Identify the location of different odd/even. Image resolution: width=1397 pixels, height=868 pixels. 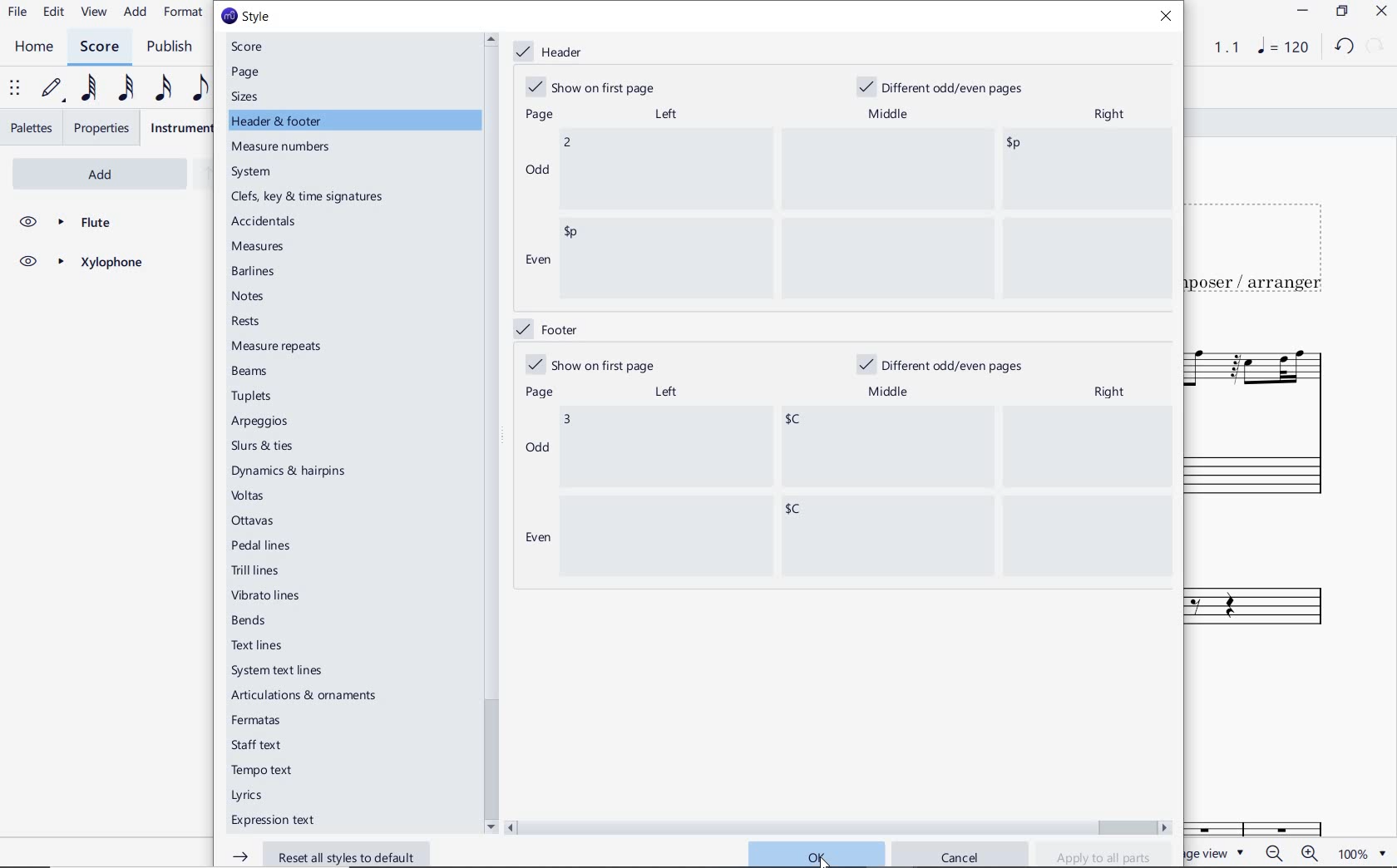
(942, 367).